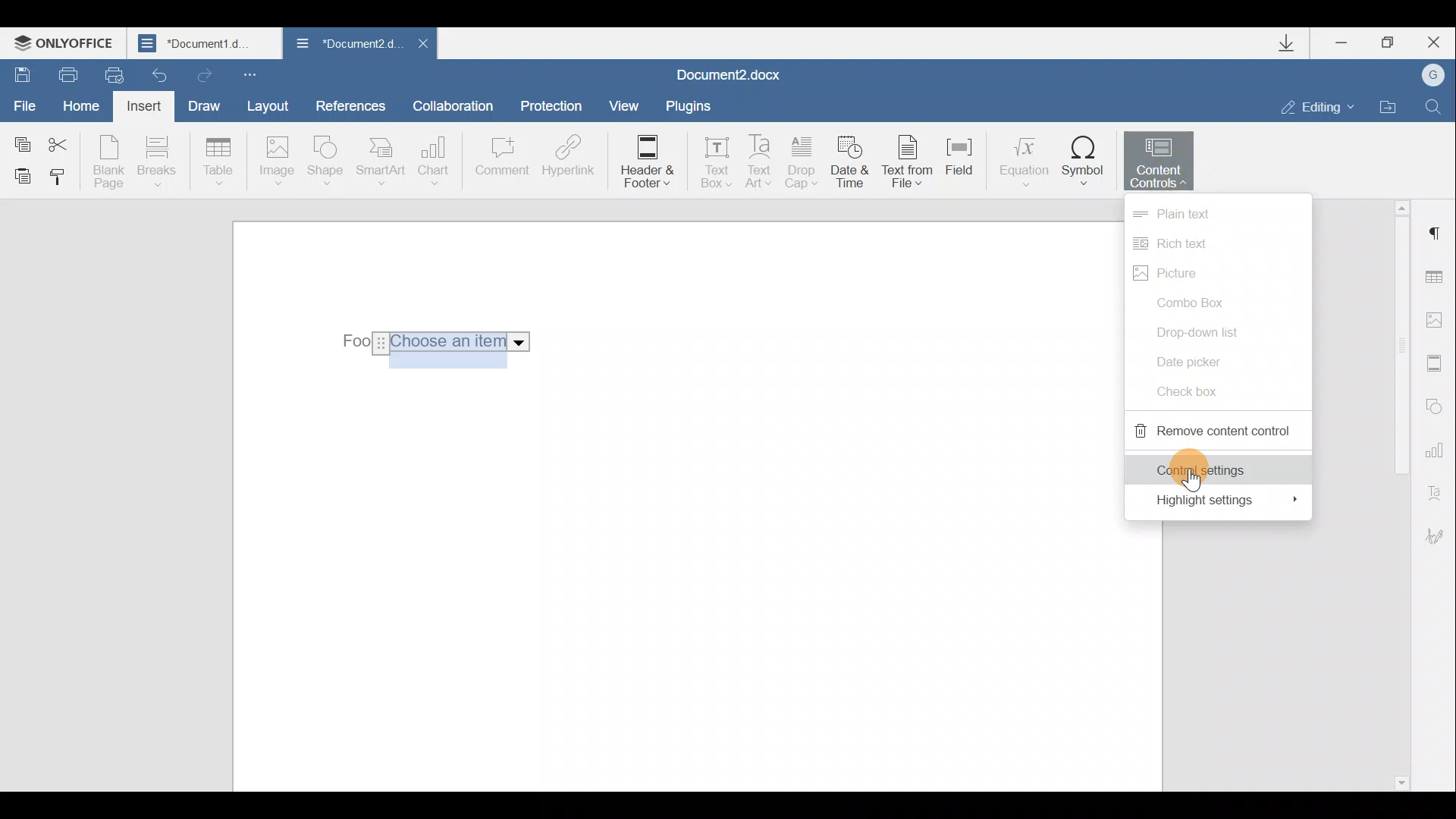 This screenshot has width=1456, height=819. What do you see at coordinates (1439, 279) in the screenshot?
I see `Table settings` at bounding box center [1439, 279].